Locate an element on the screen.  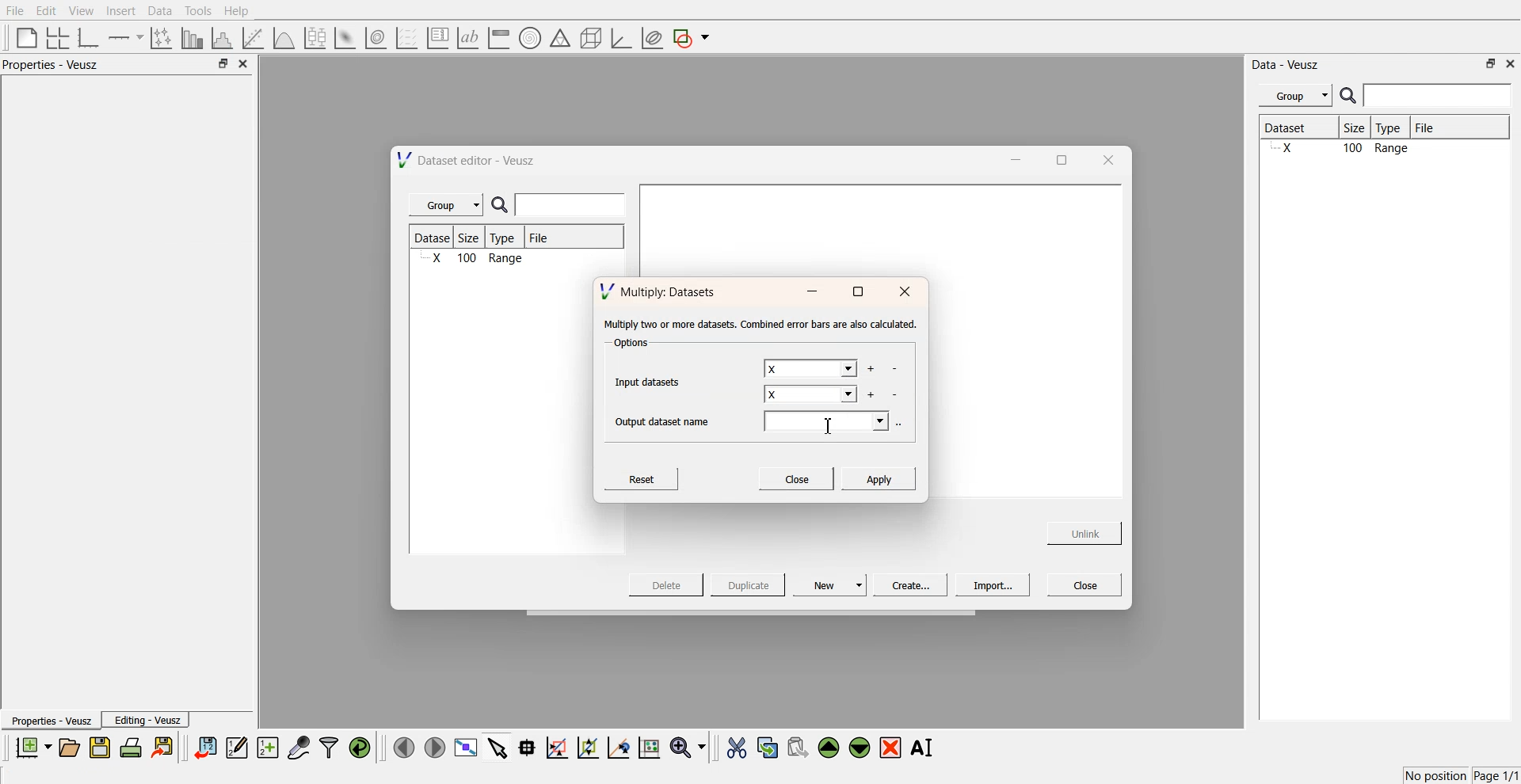
copy the selected widgets is located at coordinates (768, 747).